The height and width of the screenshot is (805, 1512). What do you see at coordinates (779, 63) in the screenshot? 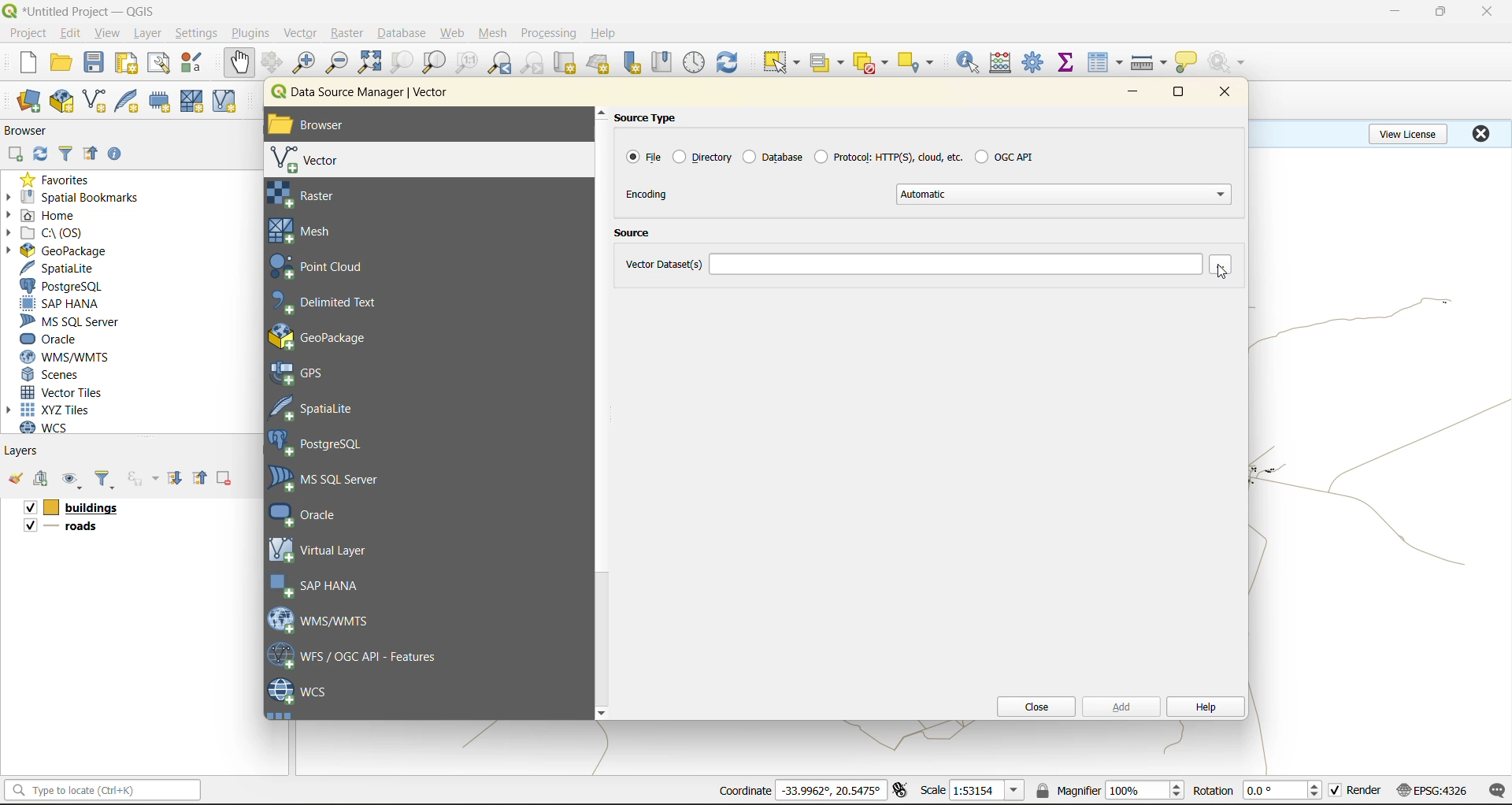
I see `select` at bounding box center [779, 63].